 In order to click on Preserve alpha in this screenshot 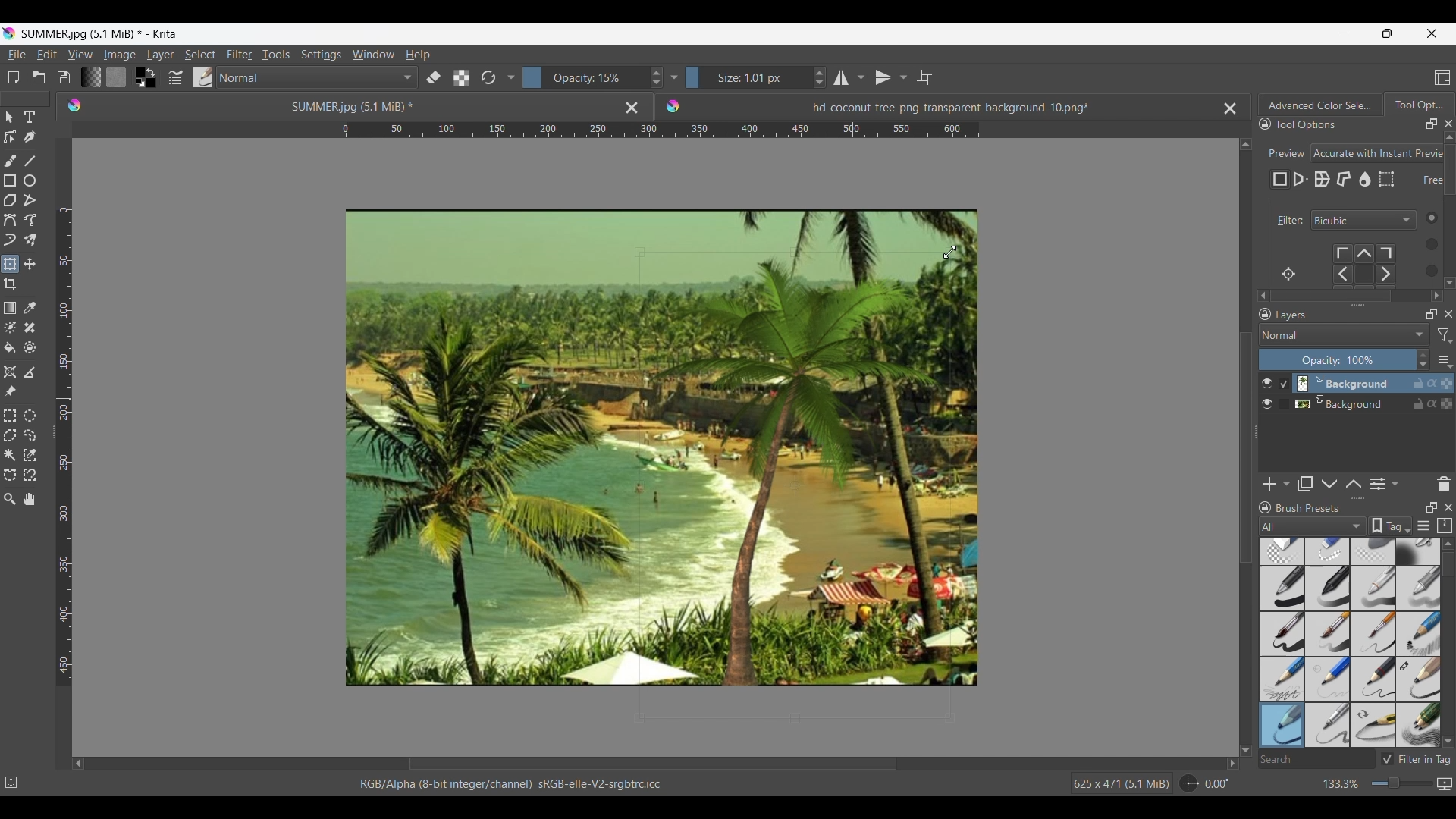, I will do `click(461, 78)`.